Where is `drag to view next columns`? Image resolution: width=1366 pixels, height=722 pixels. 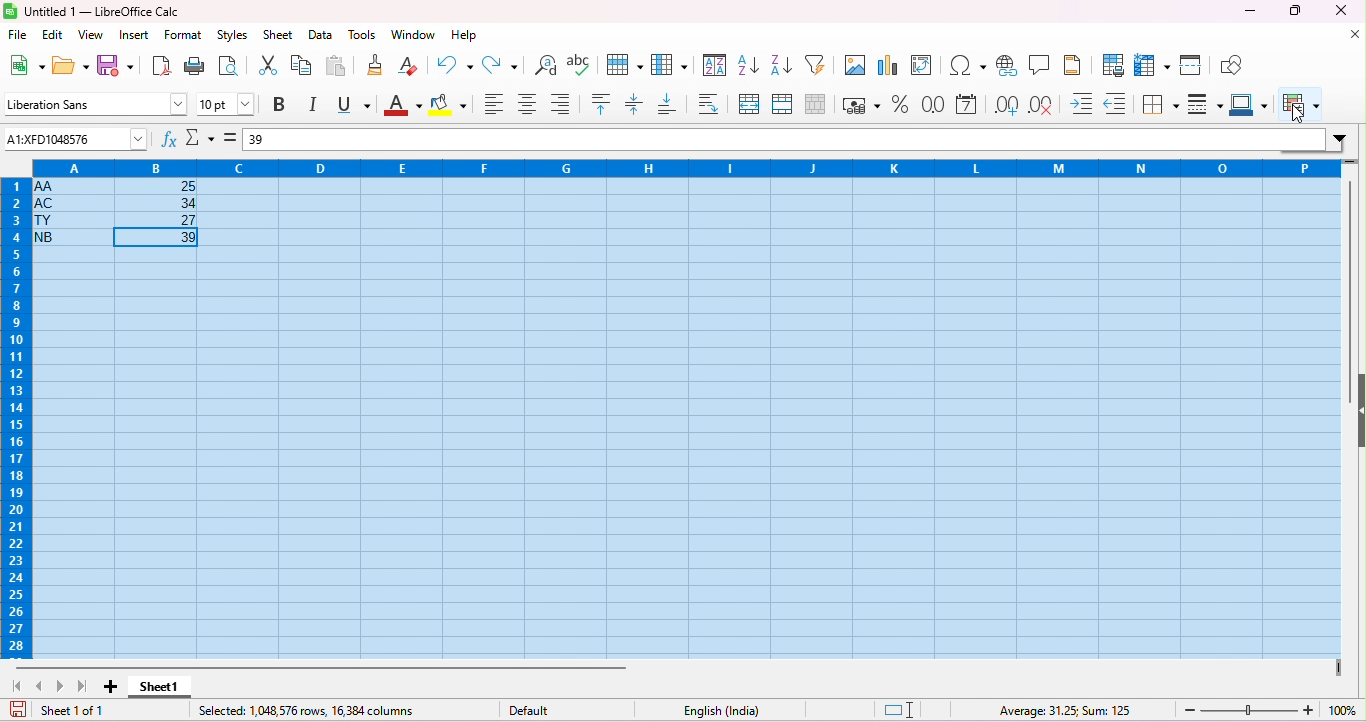
drag to view next columns is located at coordinates (1337, 666).